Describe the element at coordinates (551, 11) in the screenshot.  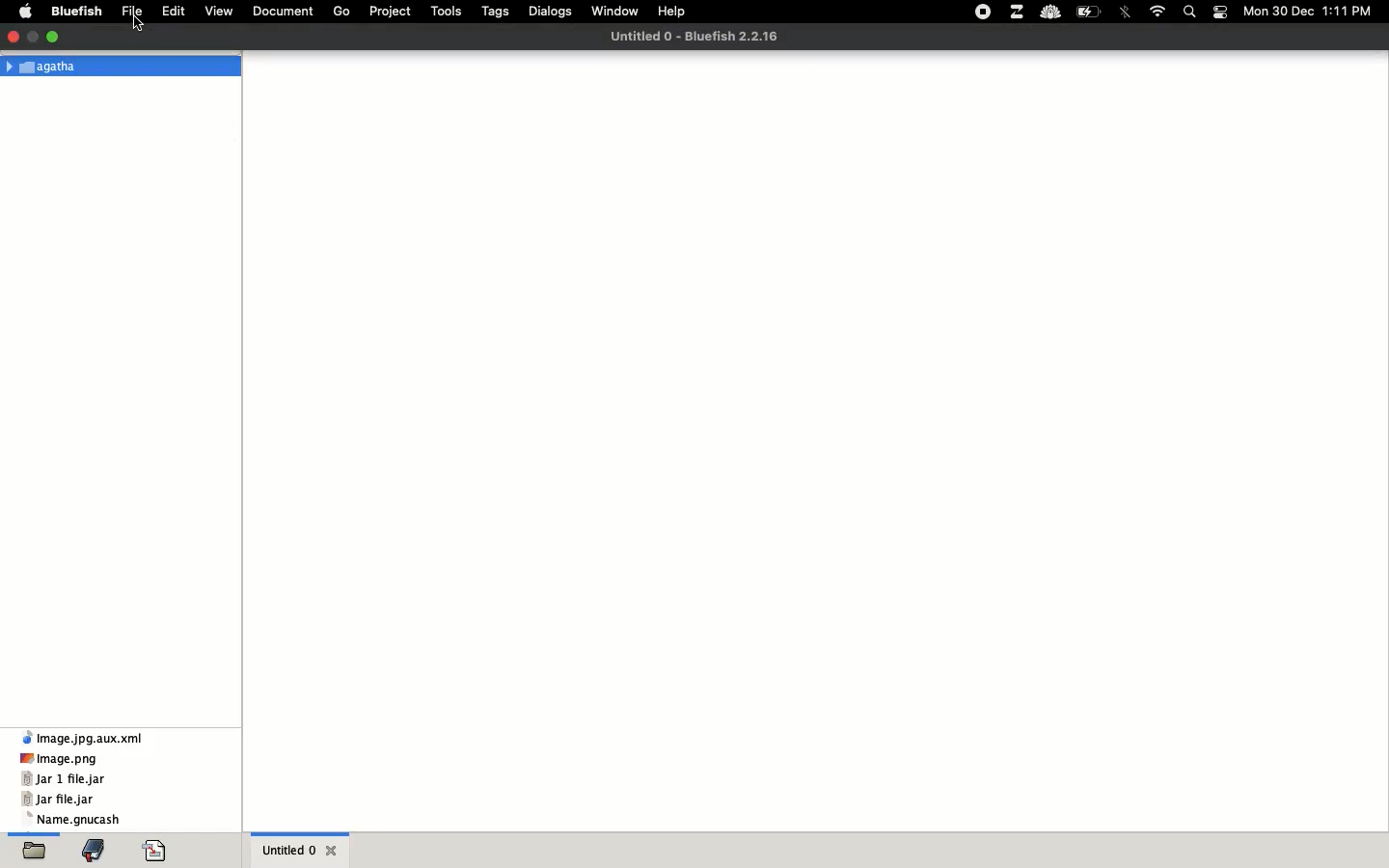
I see `dialogs` at that location.